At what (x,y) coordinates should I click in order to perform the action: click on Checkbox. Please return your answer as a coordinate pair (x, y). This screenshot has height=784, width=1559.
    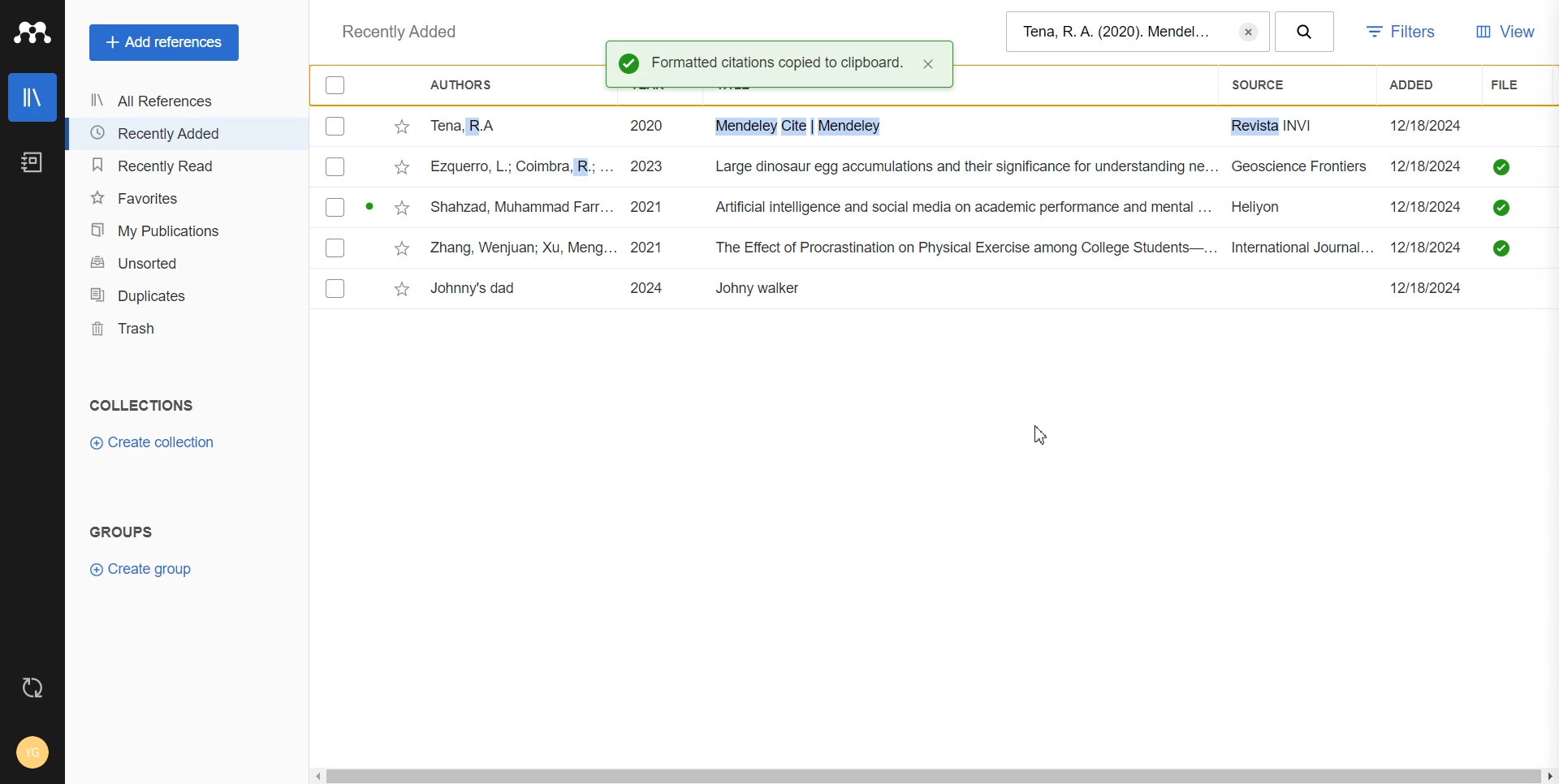
    Looking at the image, I should click on (338, 166).